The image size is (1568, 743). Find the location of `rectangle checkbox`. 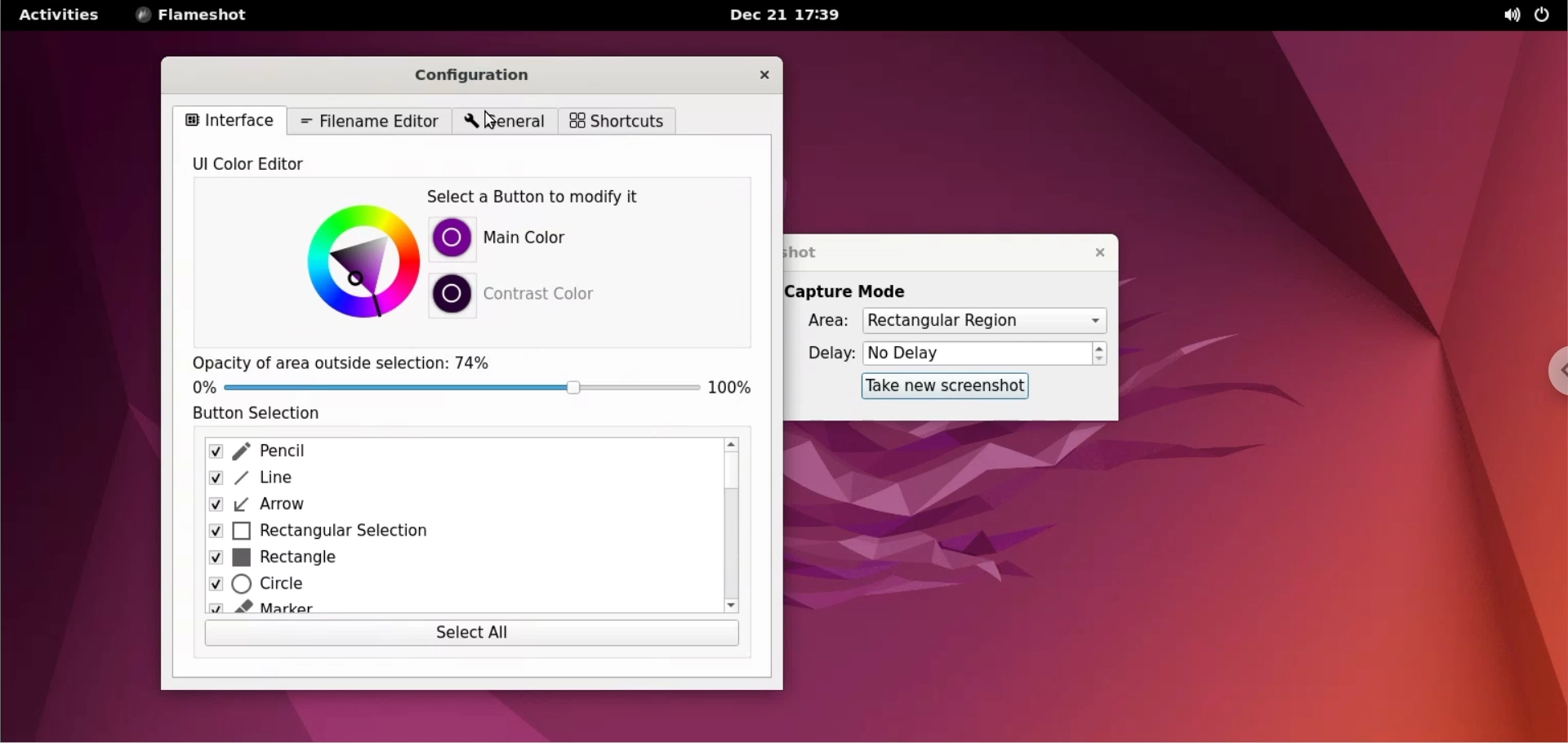

rectangle checkbox is located at coordinates (459, 559).